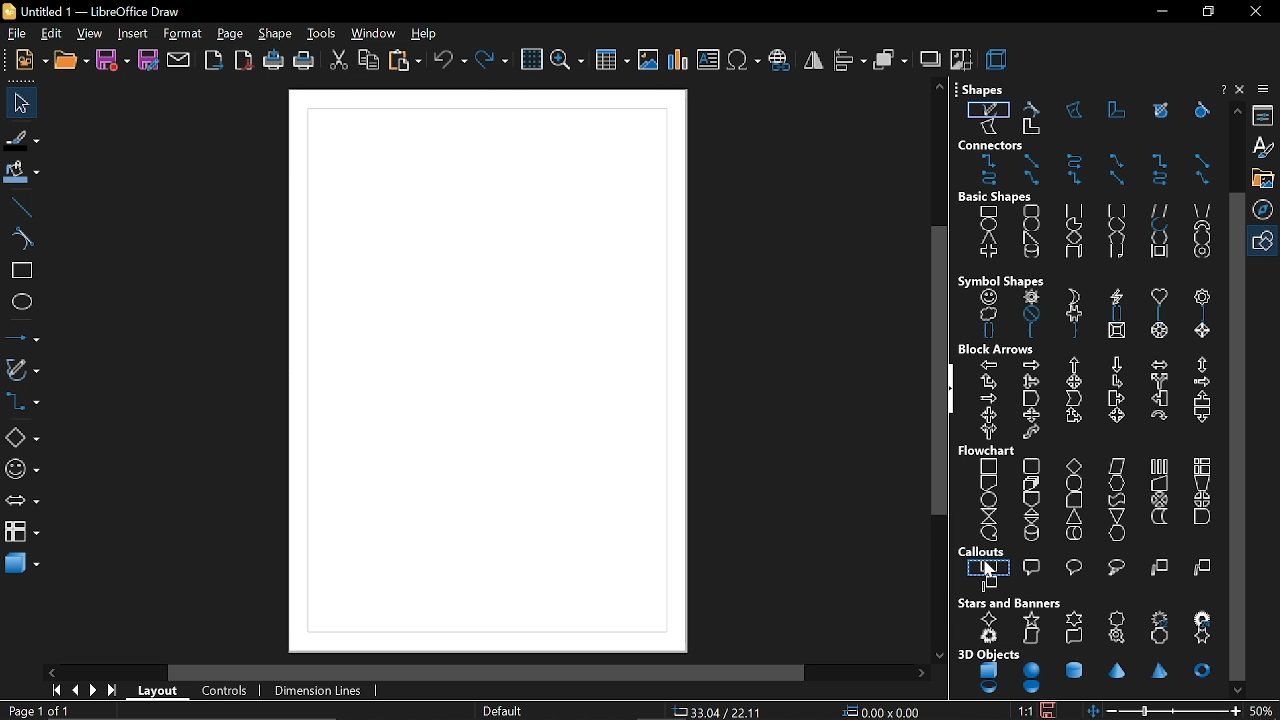 The height and width of the screenshot is (720, 1280). What do you see at coordinates (1030, 160) in the screenshot?
I see `straight connector ends with arrow` at bounding box center [1030, 160].